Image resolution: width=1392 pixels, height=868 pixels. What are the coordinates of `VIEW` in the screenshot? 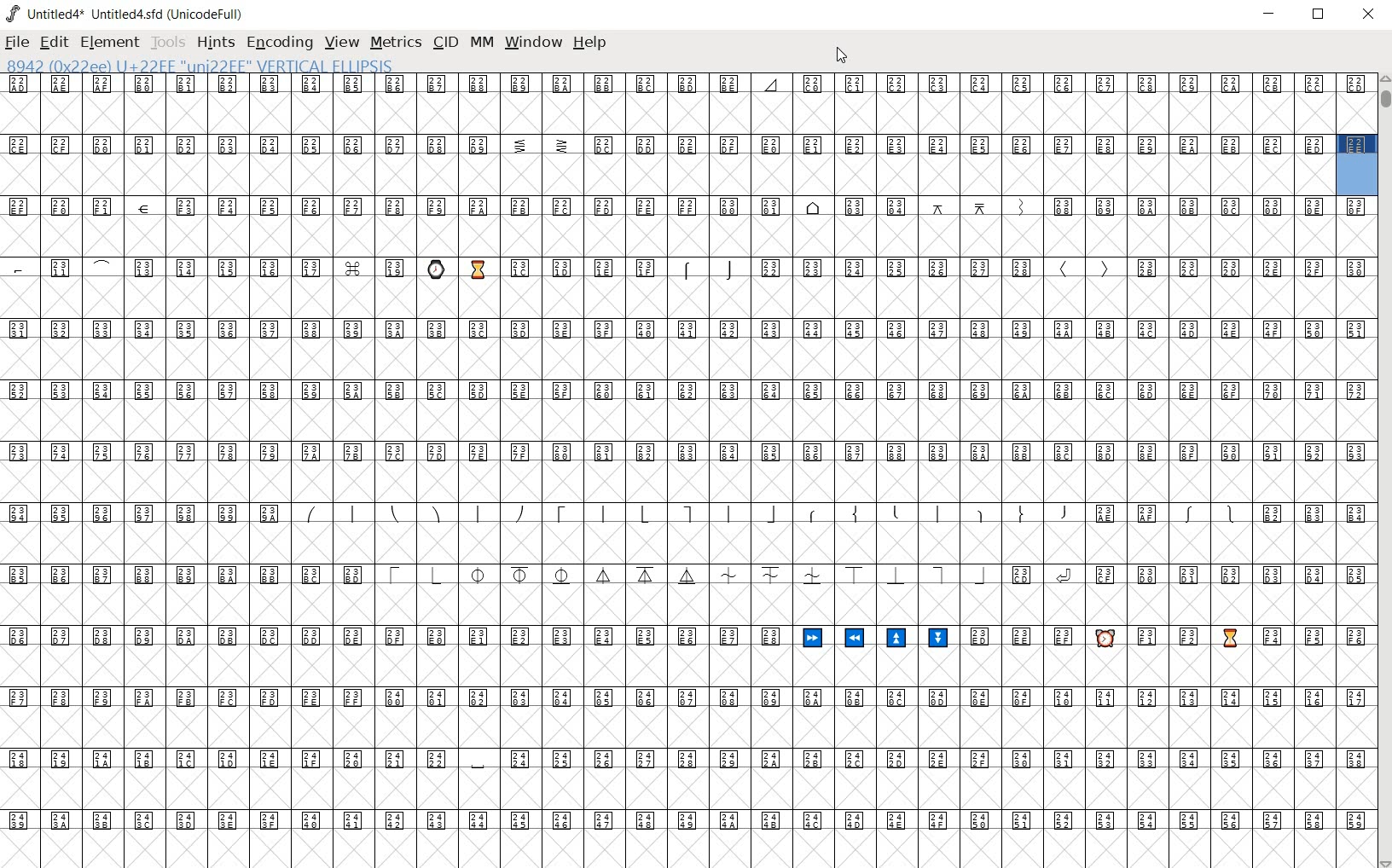 It's located at (339, 42).